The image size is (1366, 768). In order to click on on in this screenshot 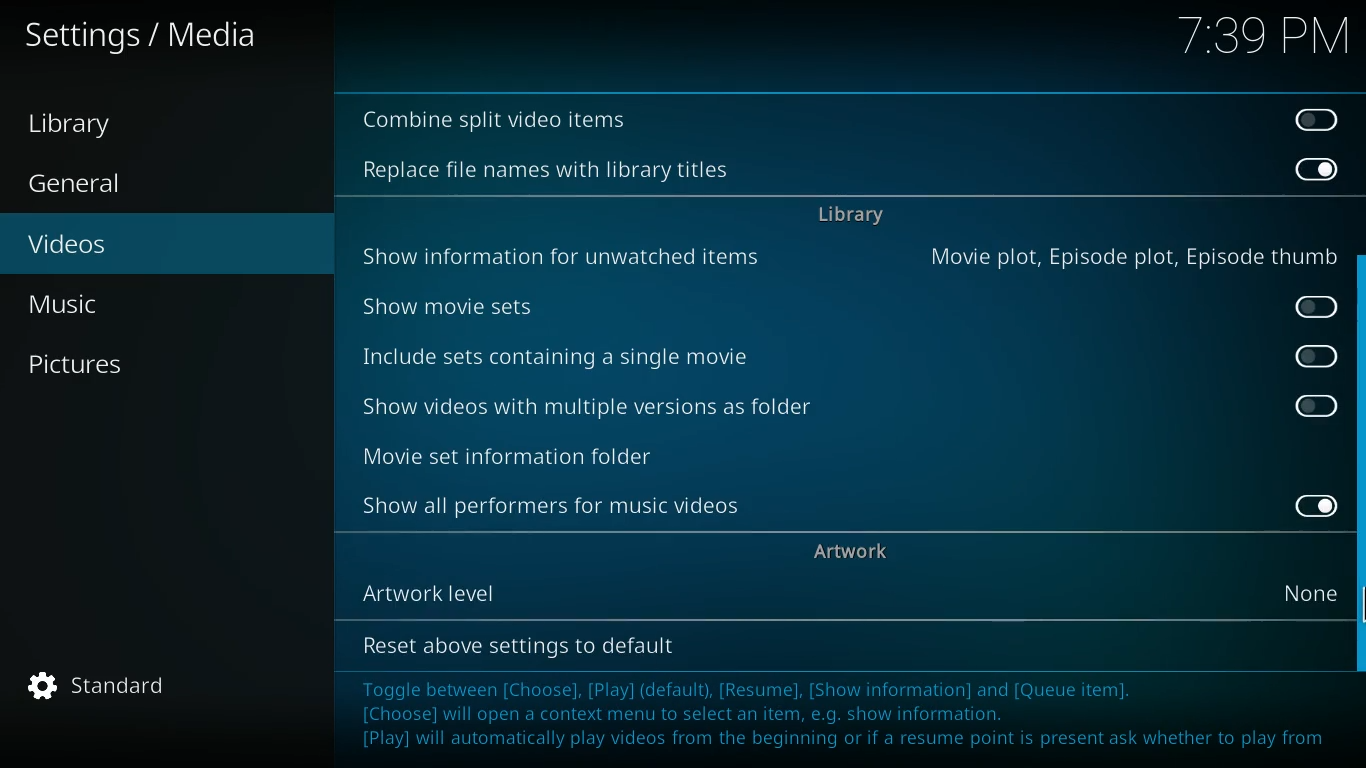, I will do `click(1316, 168)`.